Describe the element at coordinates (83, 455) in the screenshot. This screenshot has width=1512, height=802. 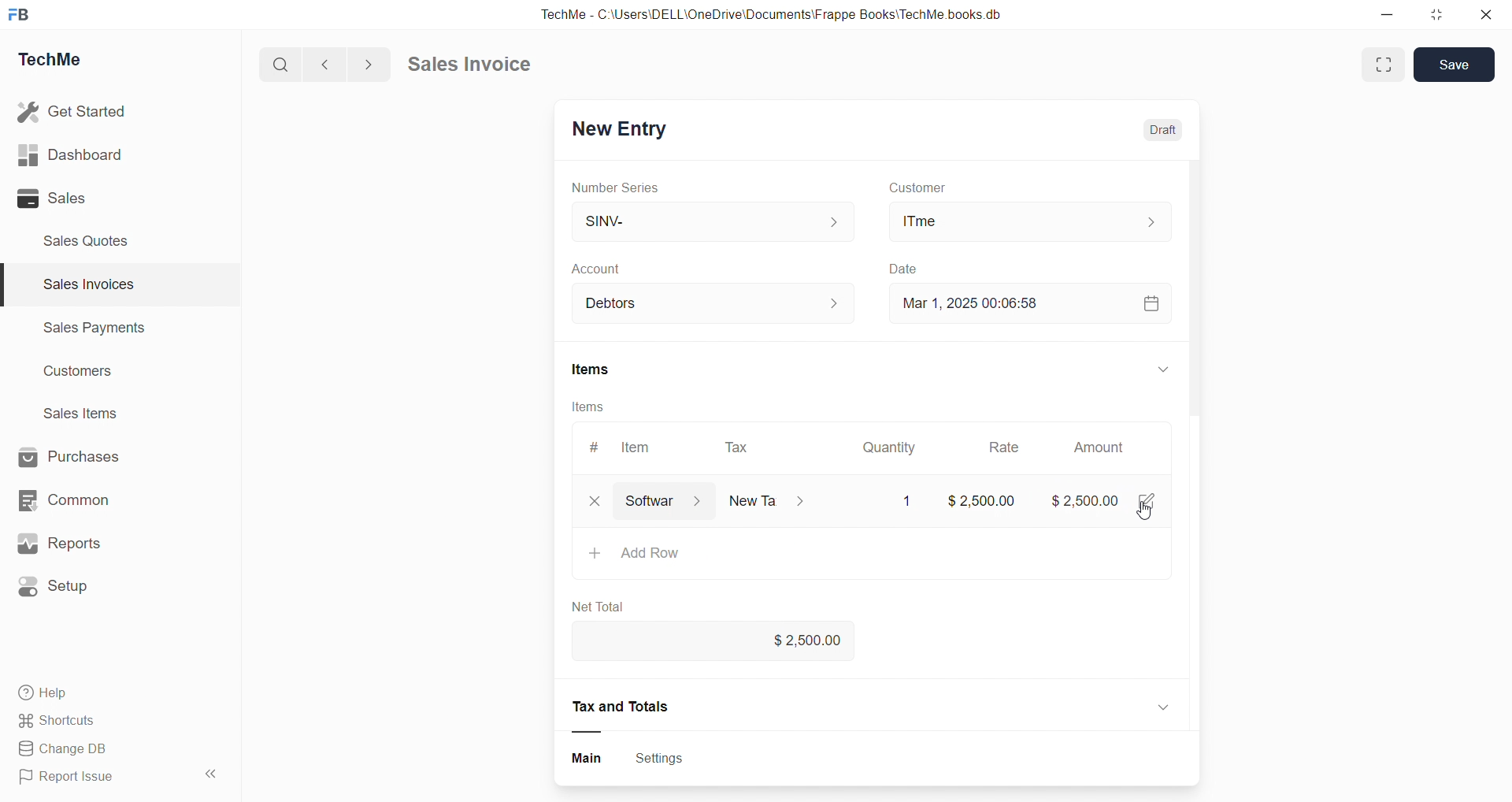
I see `Purchases` at that location.